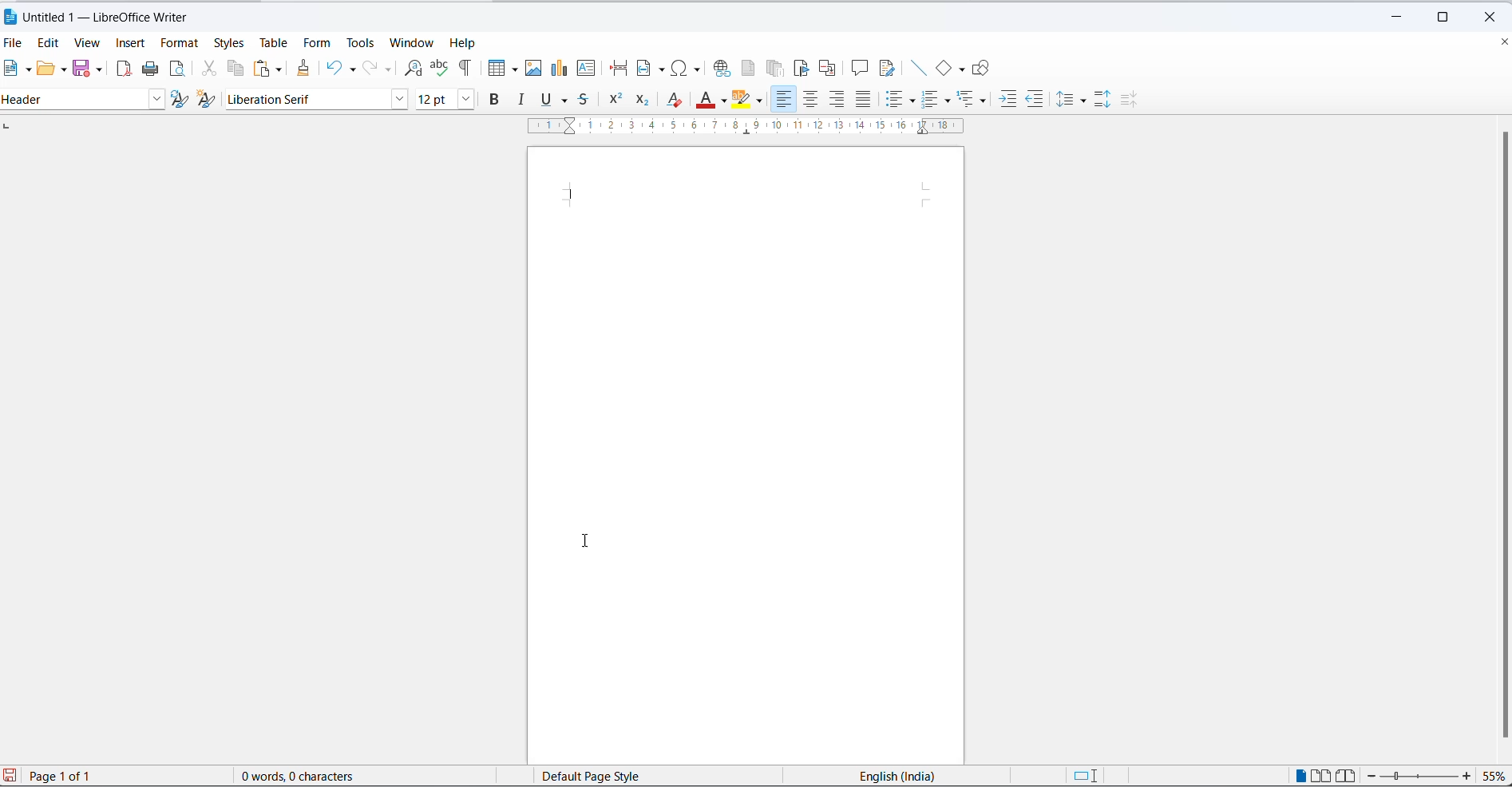 The height and width of the screenshot is (787, 1512). Describe the element at coordinates (1495, 15) in the screenshot. I see `close` at that location.